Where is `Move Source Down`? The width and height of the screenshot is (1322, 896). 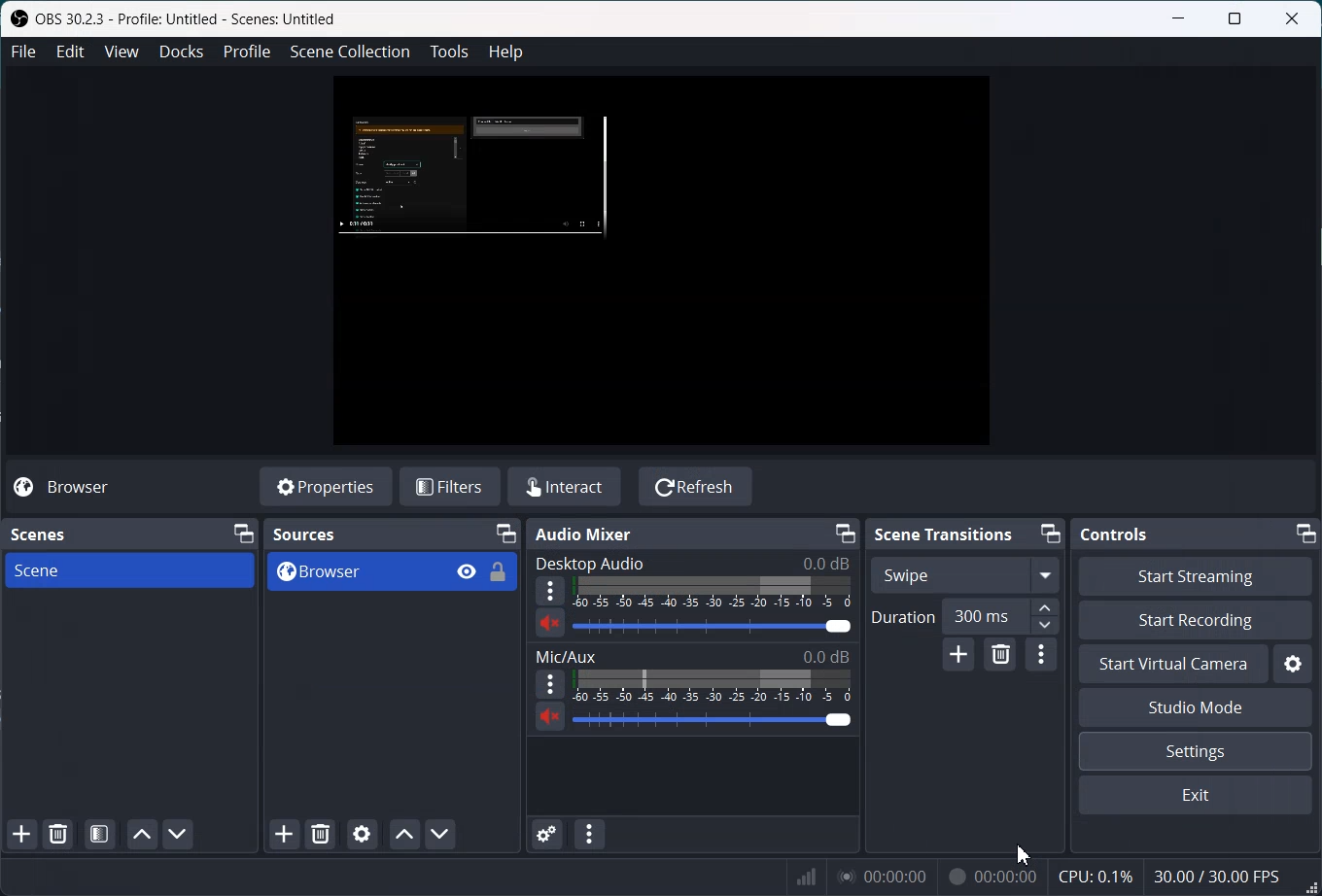 Move Source Down is located at coordinates (441, 834).